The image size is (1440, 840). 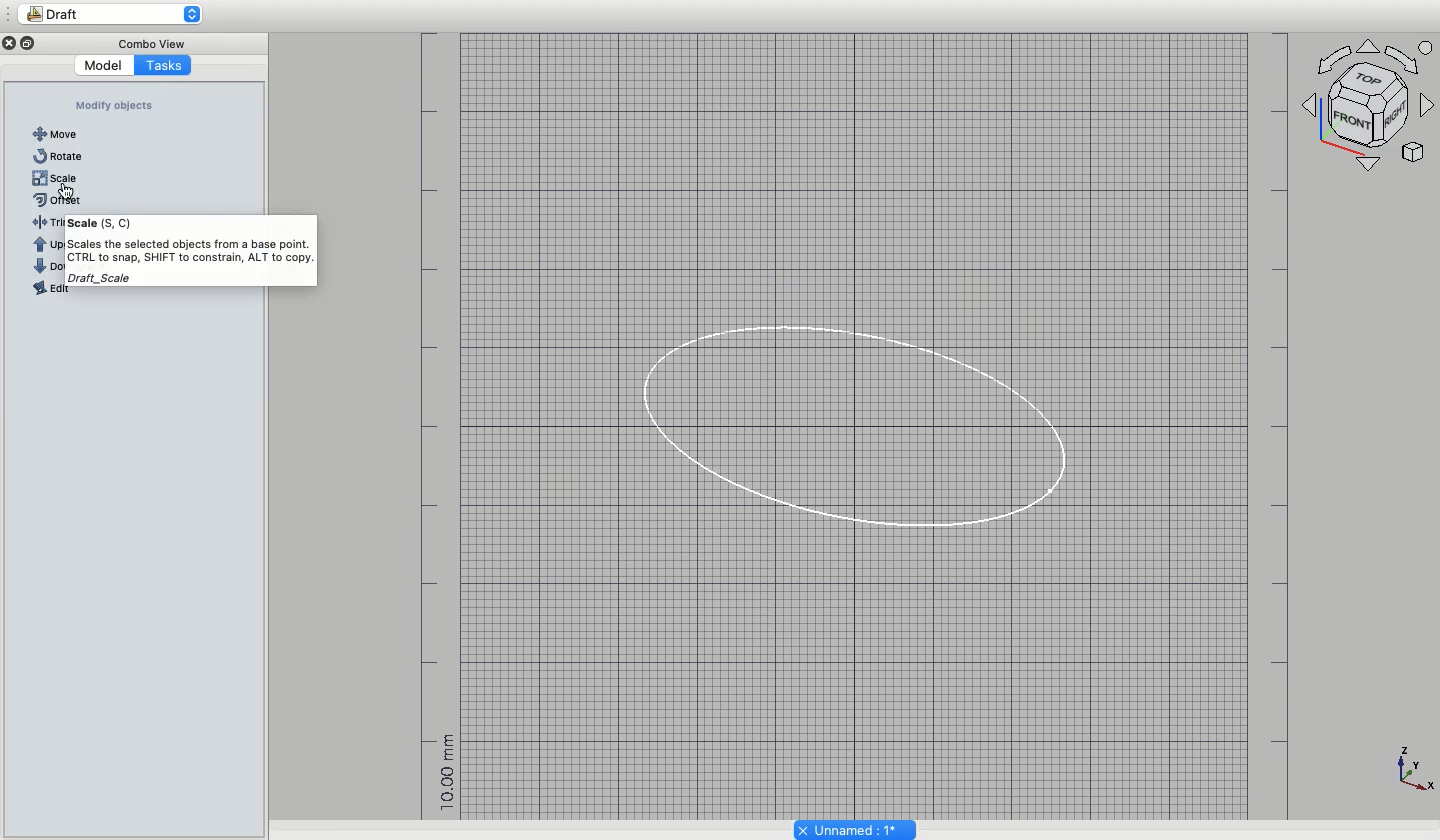 What do you see at coordinates (149, 41) in the screenshot?
I see `Combo View` at bounding box center [149, 41].